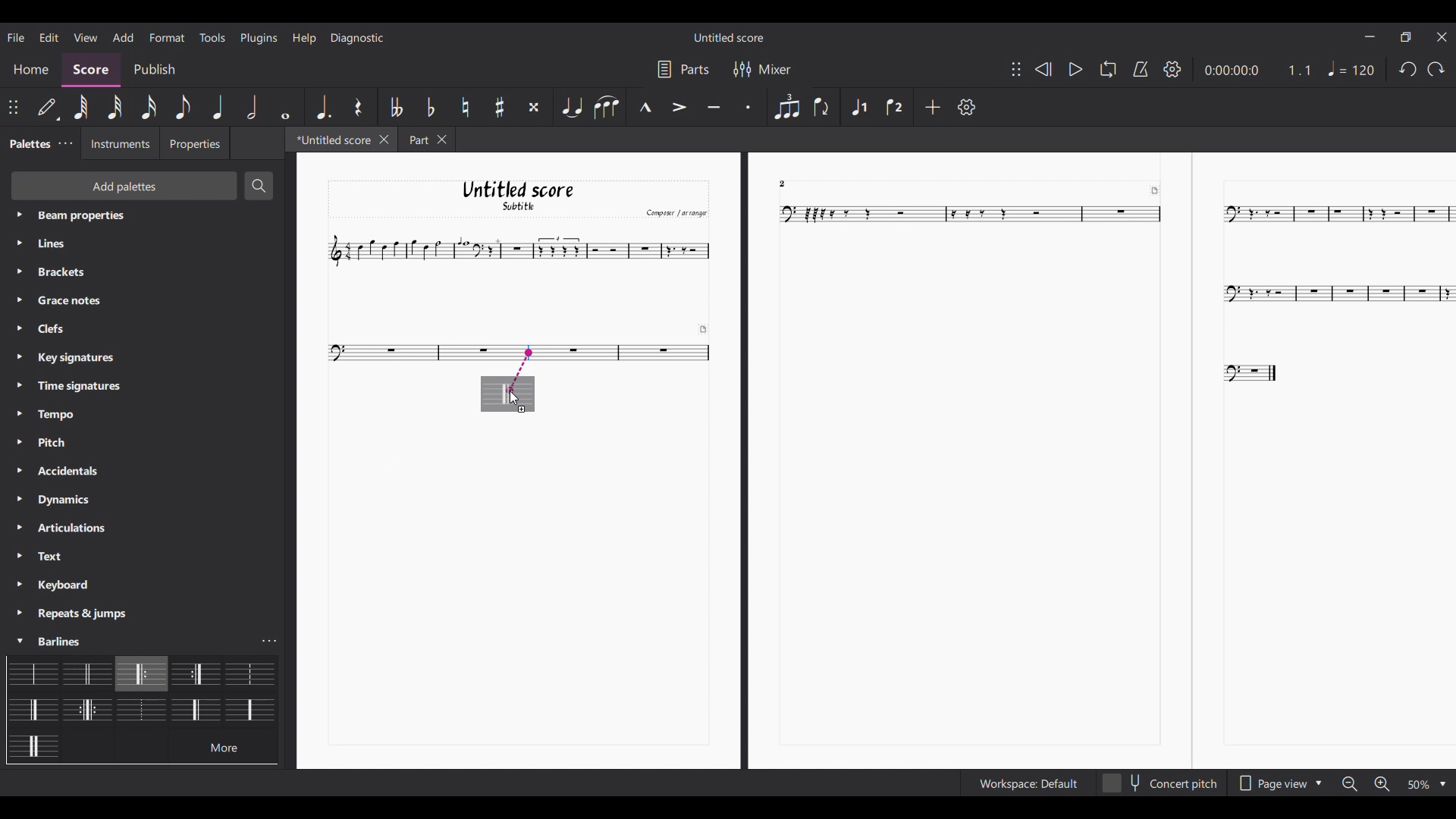  Describe the element at coordinates (1109, 69) in the screenshot. I see `Loop playback ` at that location.